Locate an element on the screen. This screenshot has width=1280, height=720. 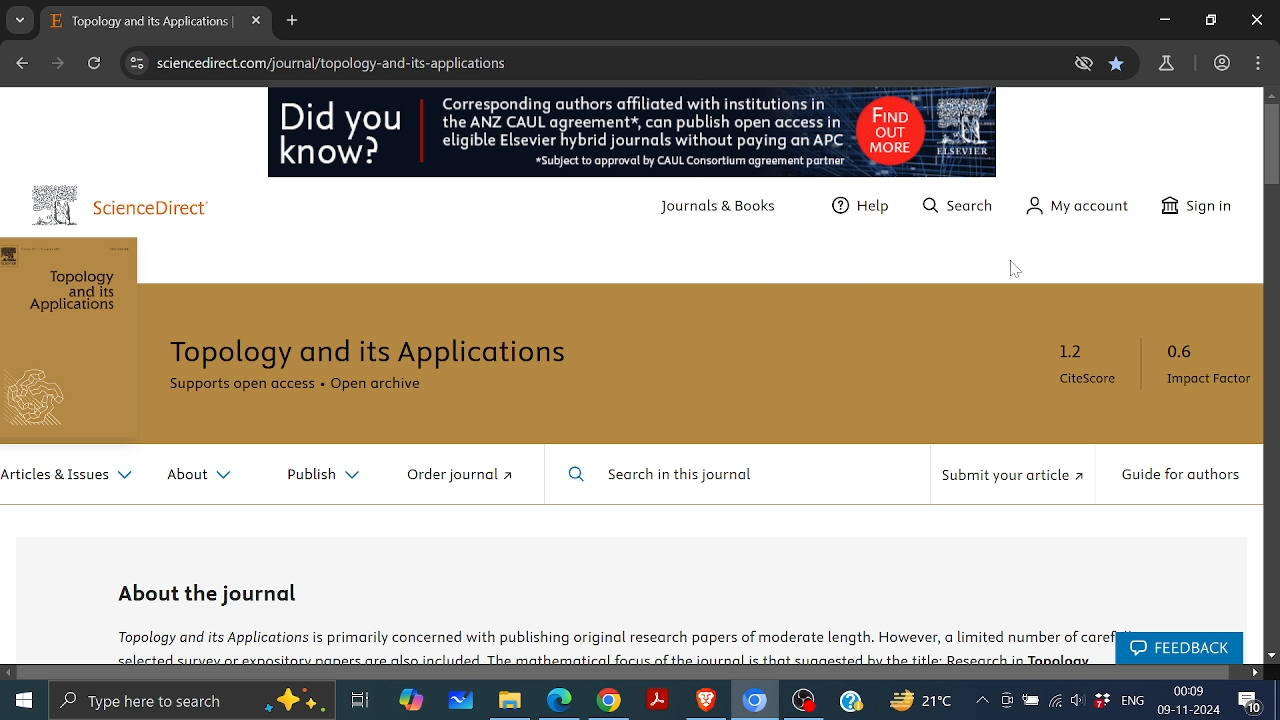
logo is located at coordinates (43, 401).